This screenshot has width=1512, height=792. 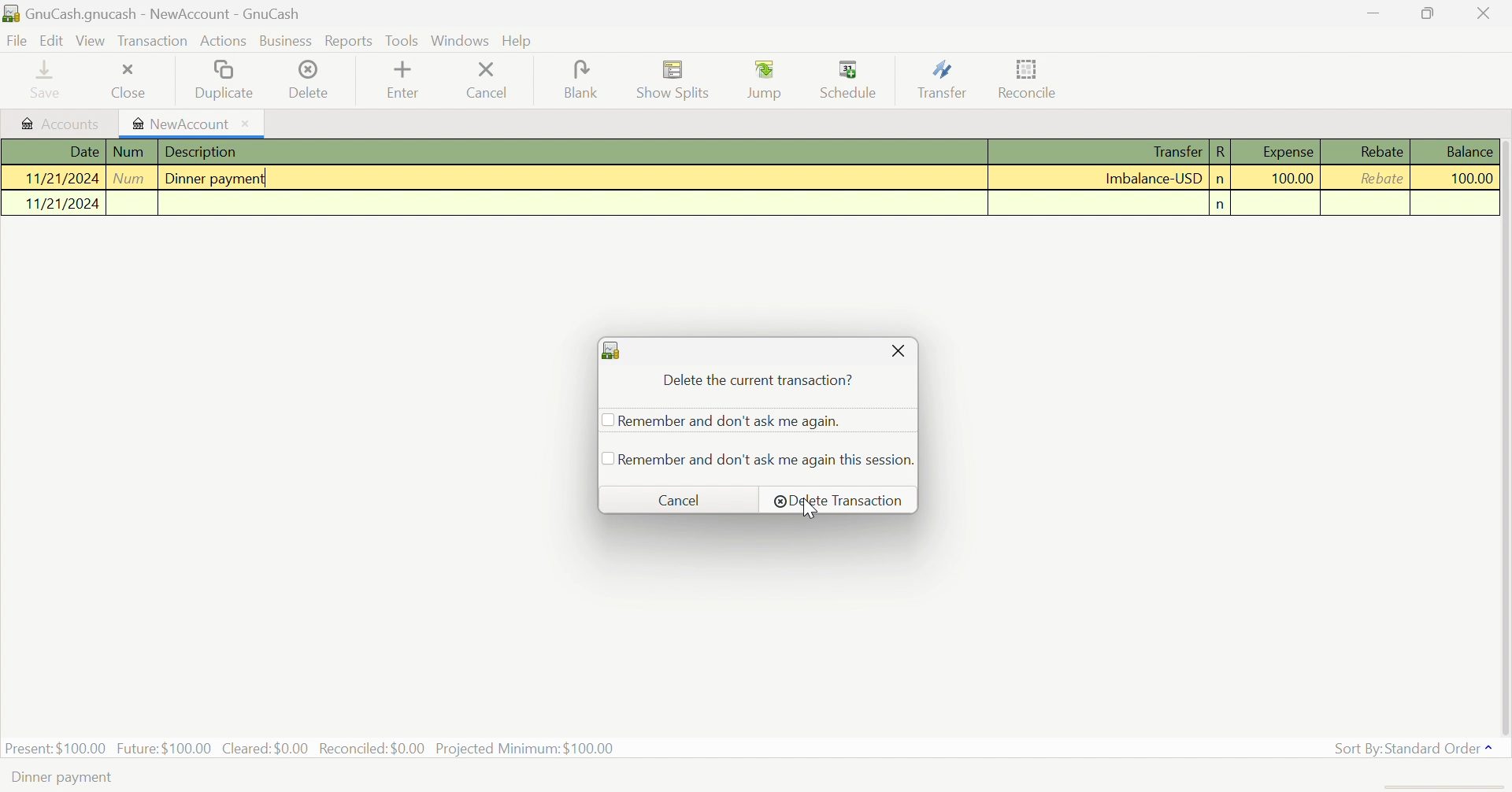 I want to click on Imbalance-USD, so click(x=1154, y=177).